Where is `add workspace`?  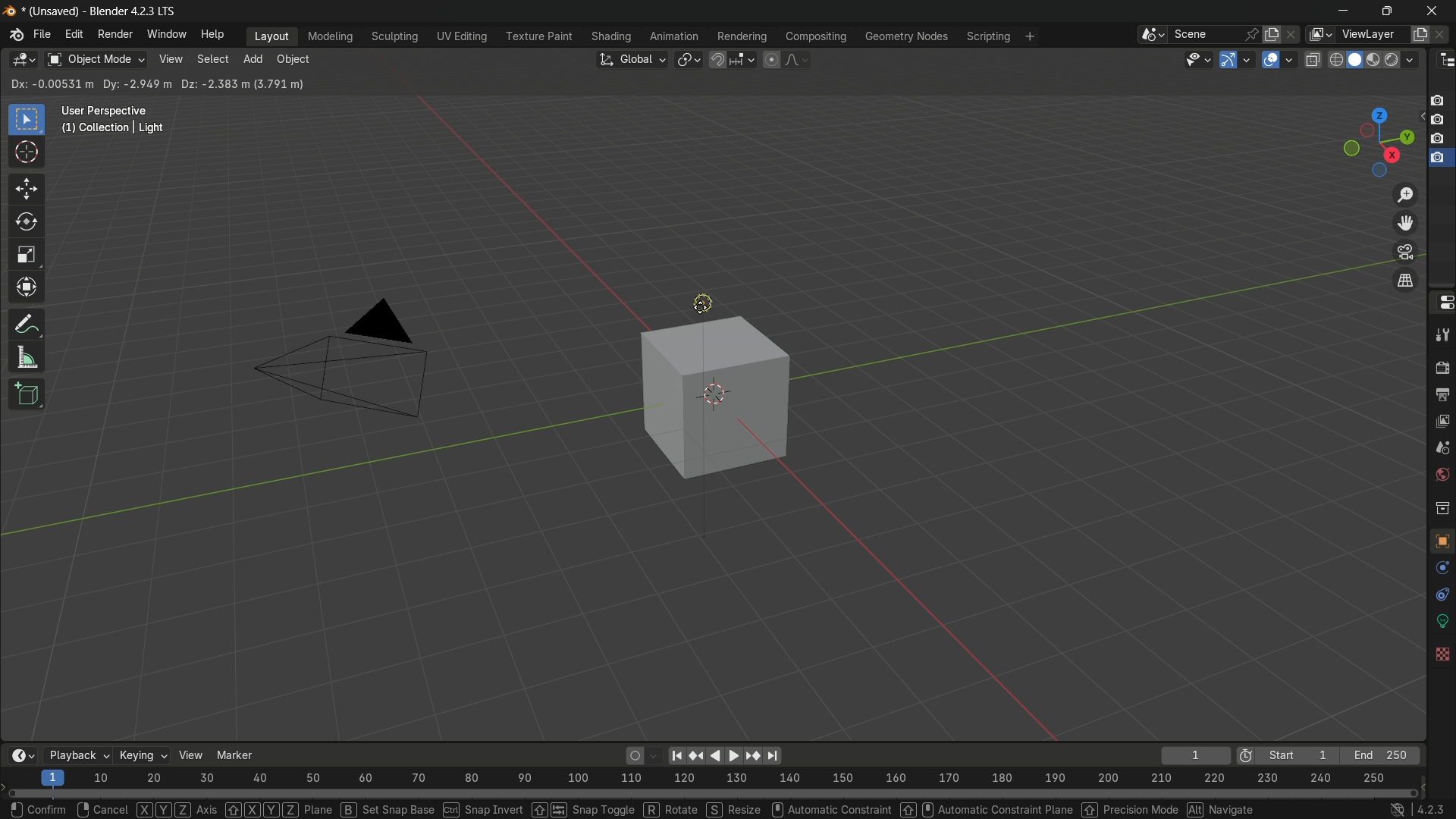
add workspace is located at coordinates (1031, 36).